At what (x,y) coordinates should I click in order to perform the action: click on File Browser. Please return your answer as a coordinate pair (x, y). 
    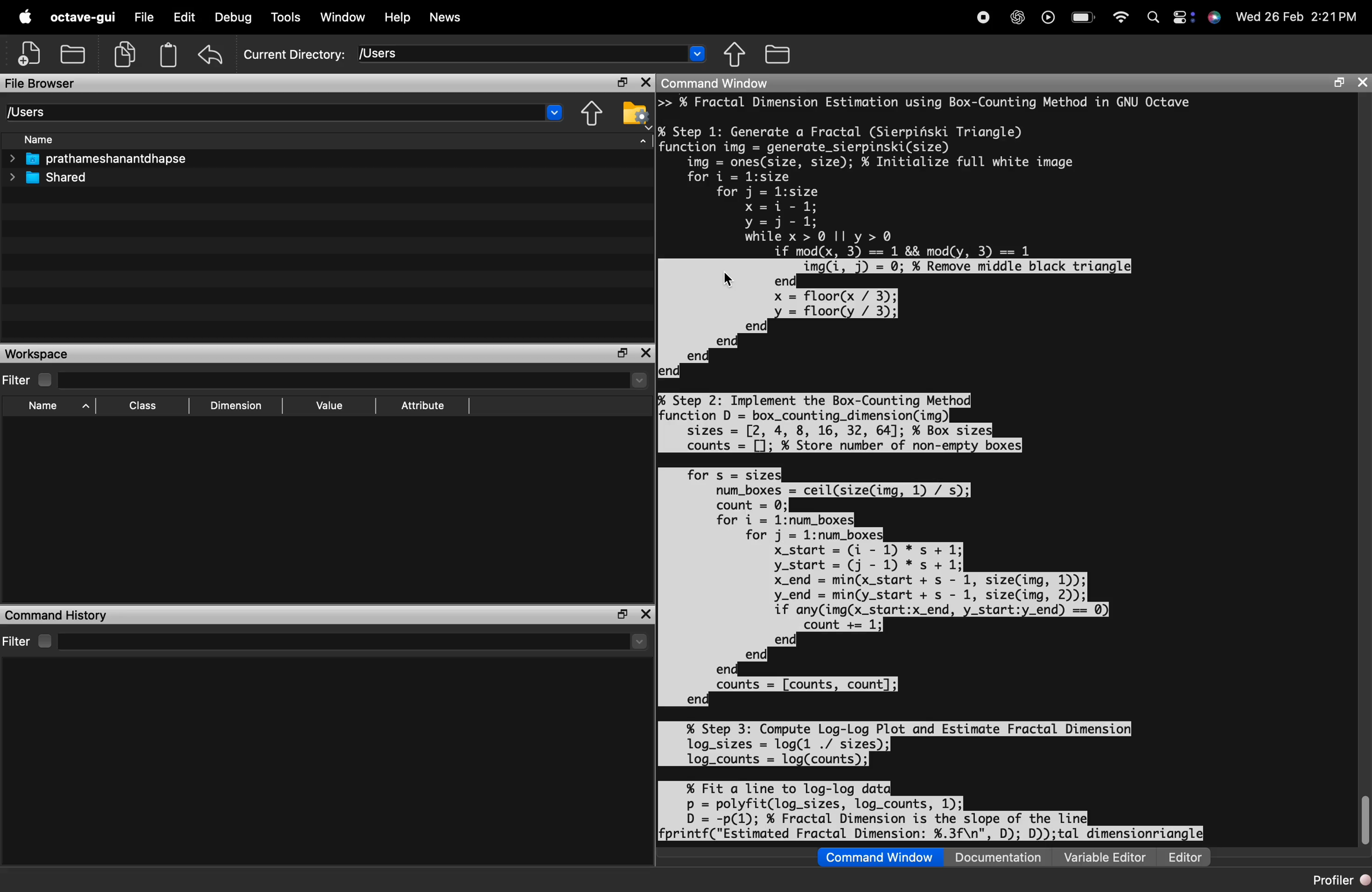
    Looking at the image, I should click on (43, 83).